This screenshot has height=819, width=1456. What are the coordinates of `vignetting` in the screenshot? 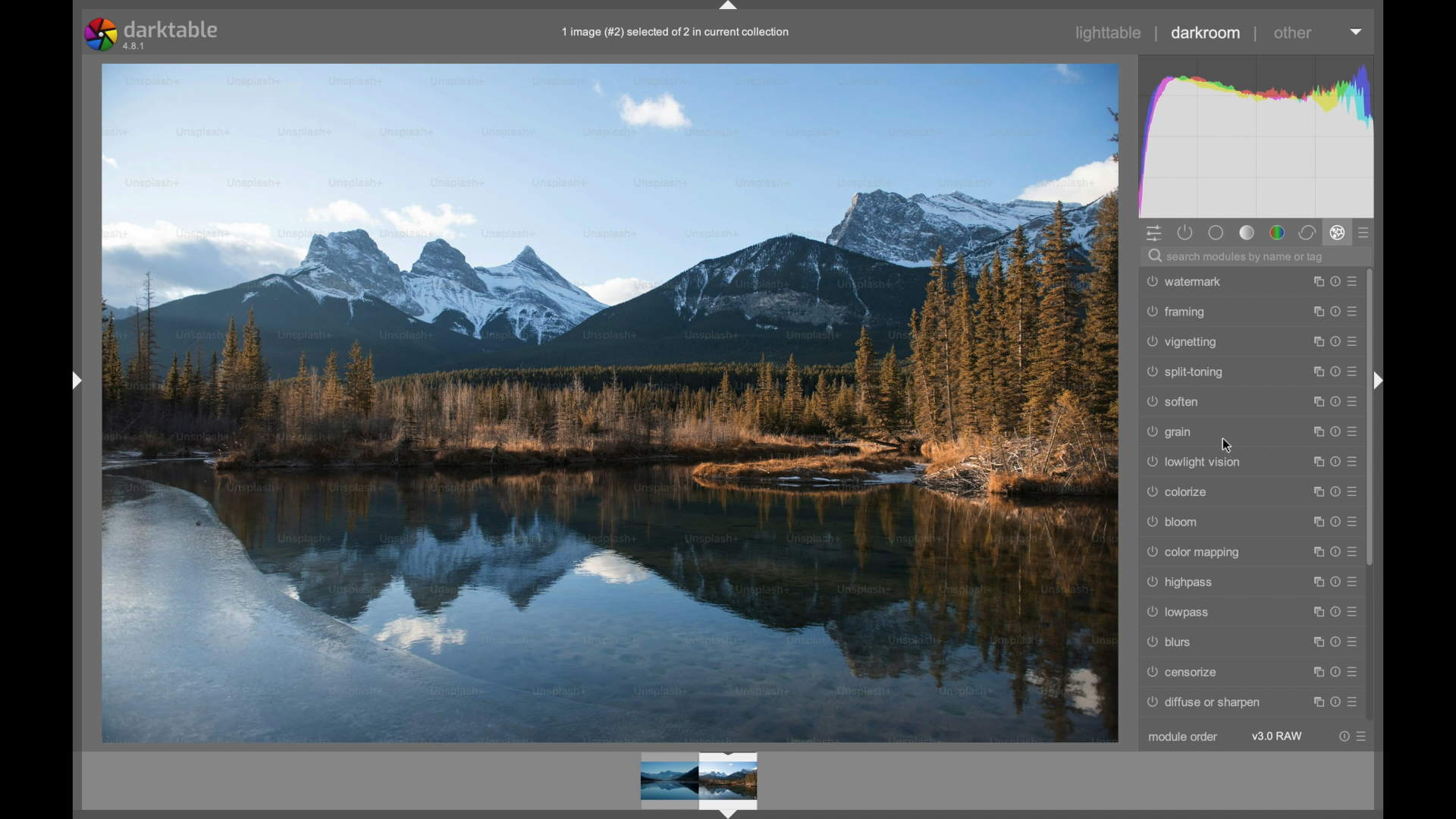 It's located at (1183, 341).